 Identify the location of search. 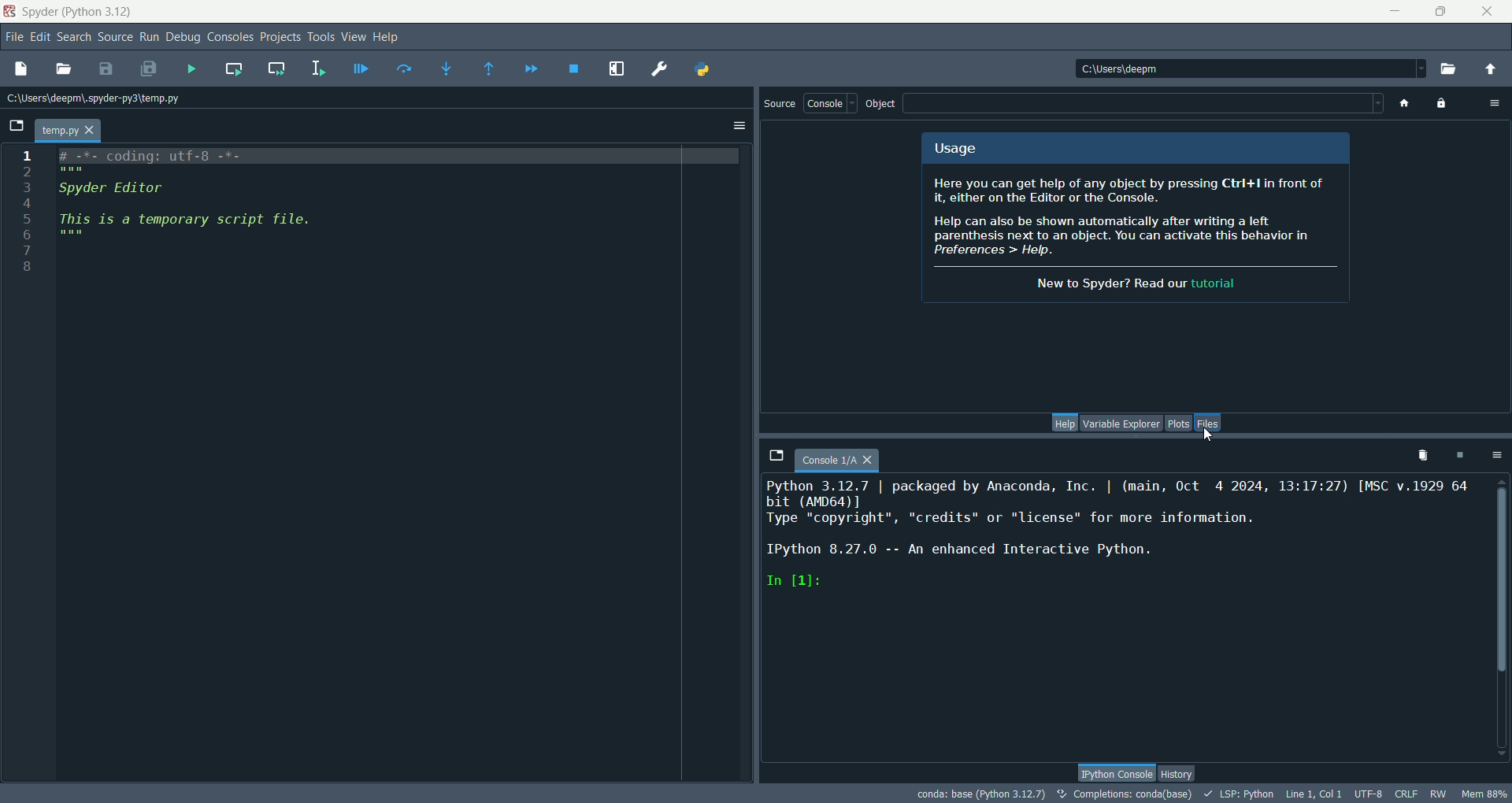
(75, 38).